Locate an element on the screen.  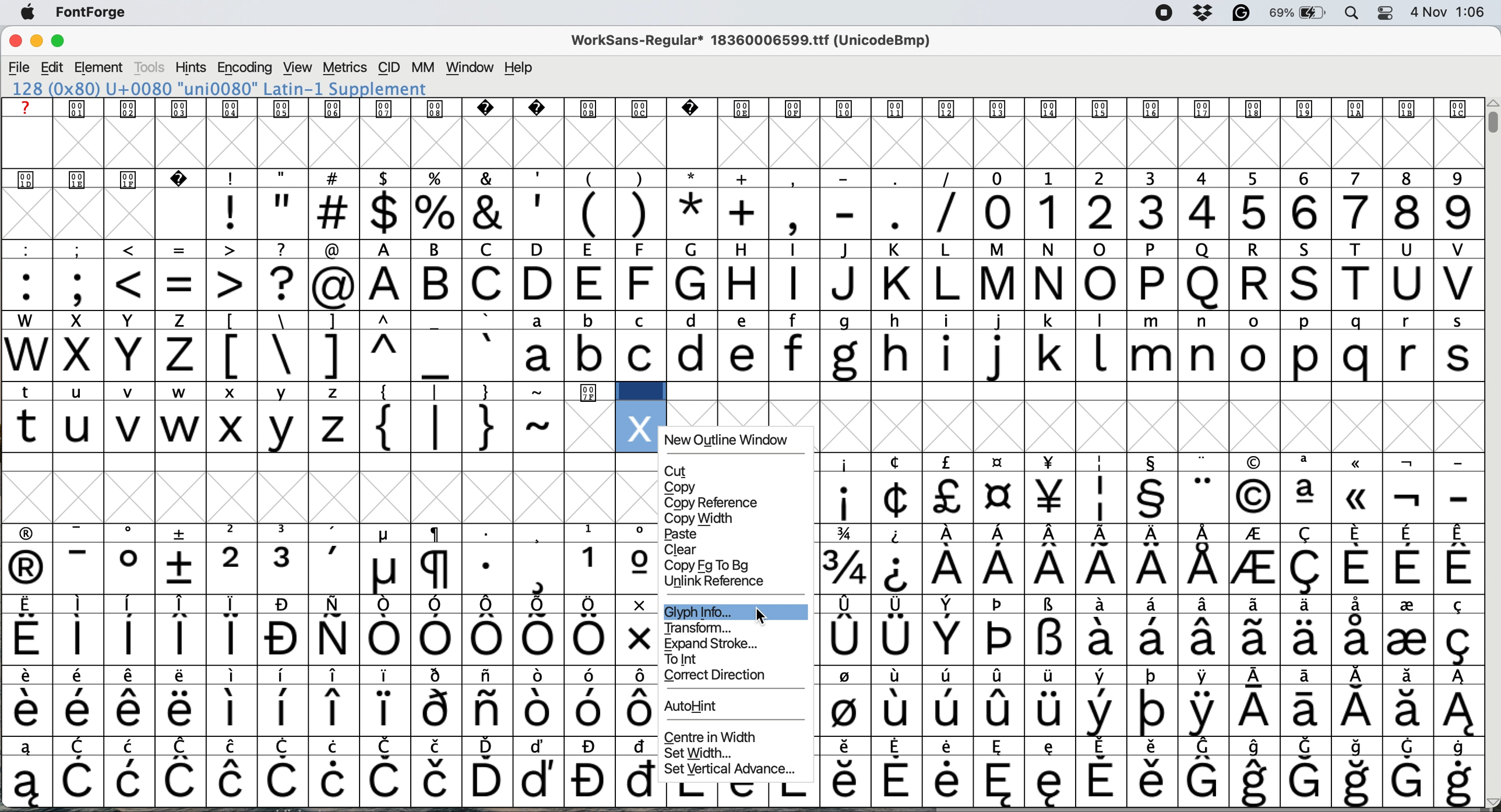
unlink reference is located at coordinates (722, 582).